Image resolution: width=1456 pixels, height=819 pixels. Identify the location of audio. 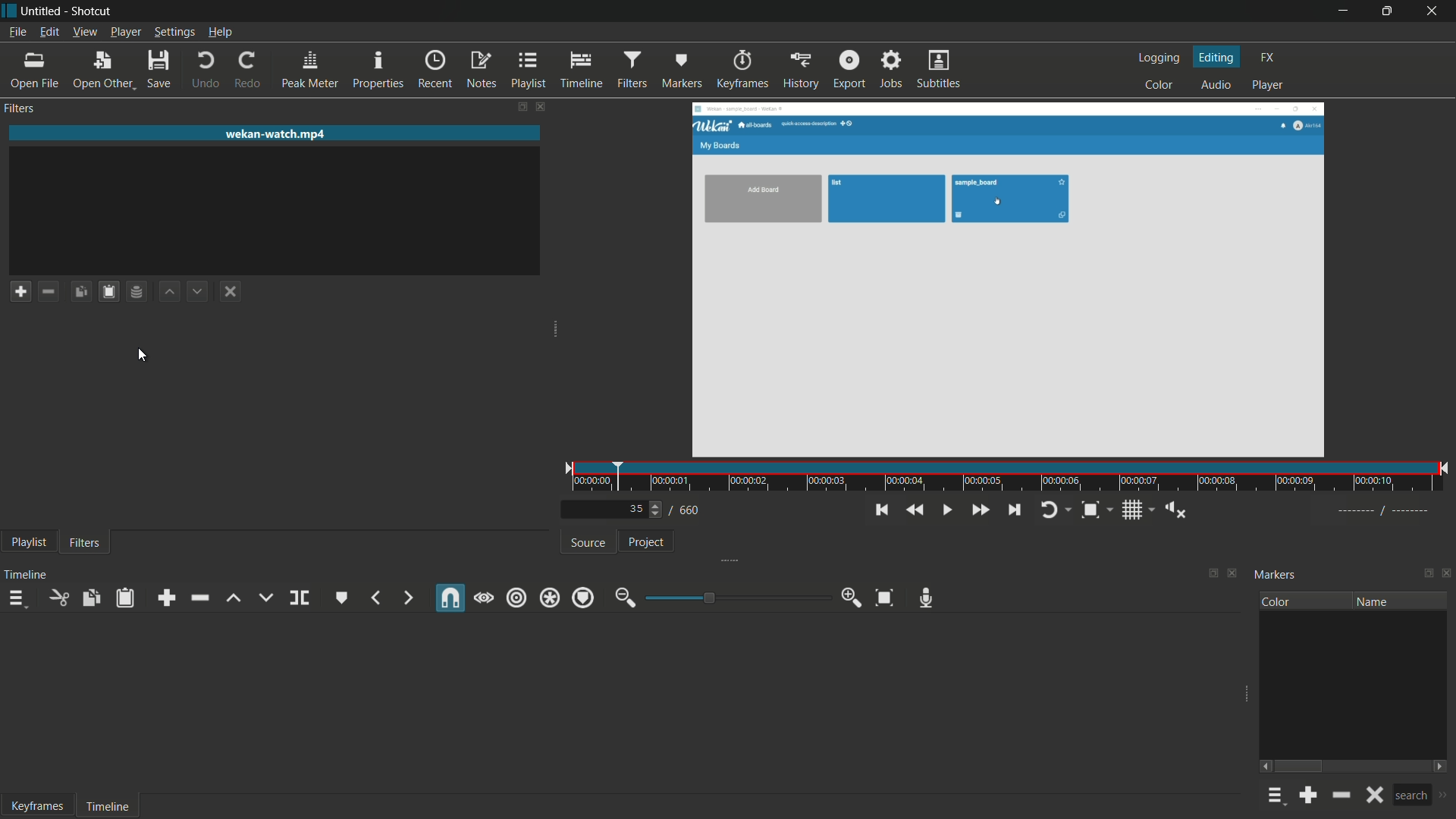
(1213, 86).